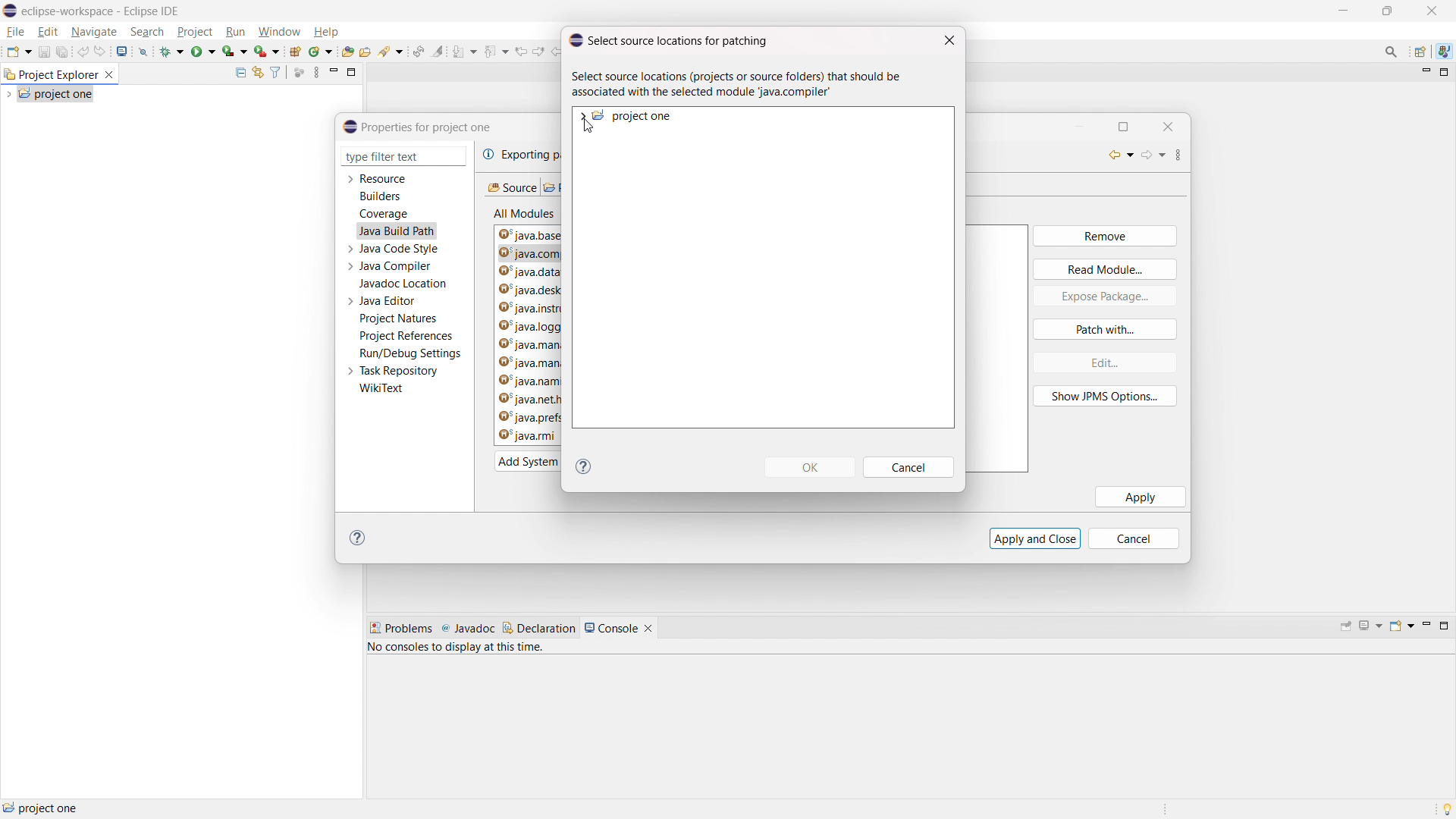  Describe the element at coordinates (1425, 626) in the screenshot. I see `minimize` at that location.